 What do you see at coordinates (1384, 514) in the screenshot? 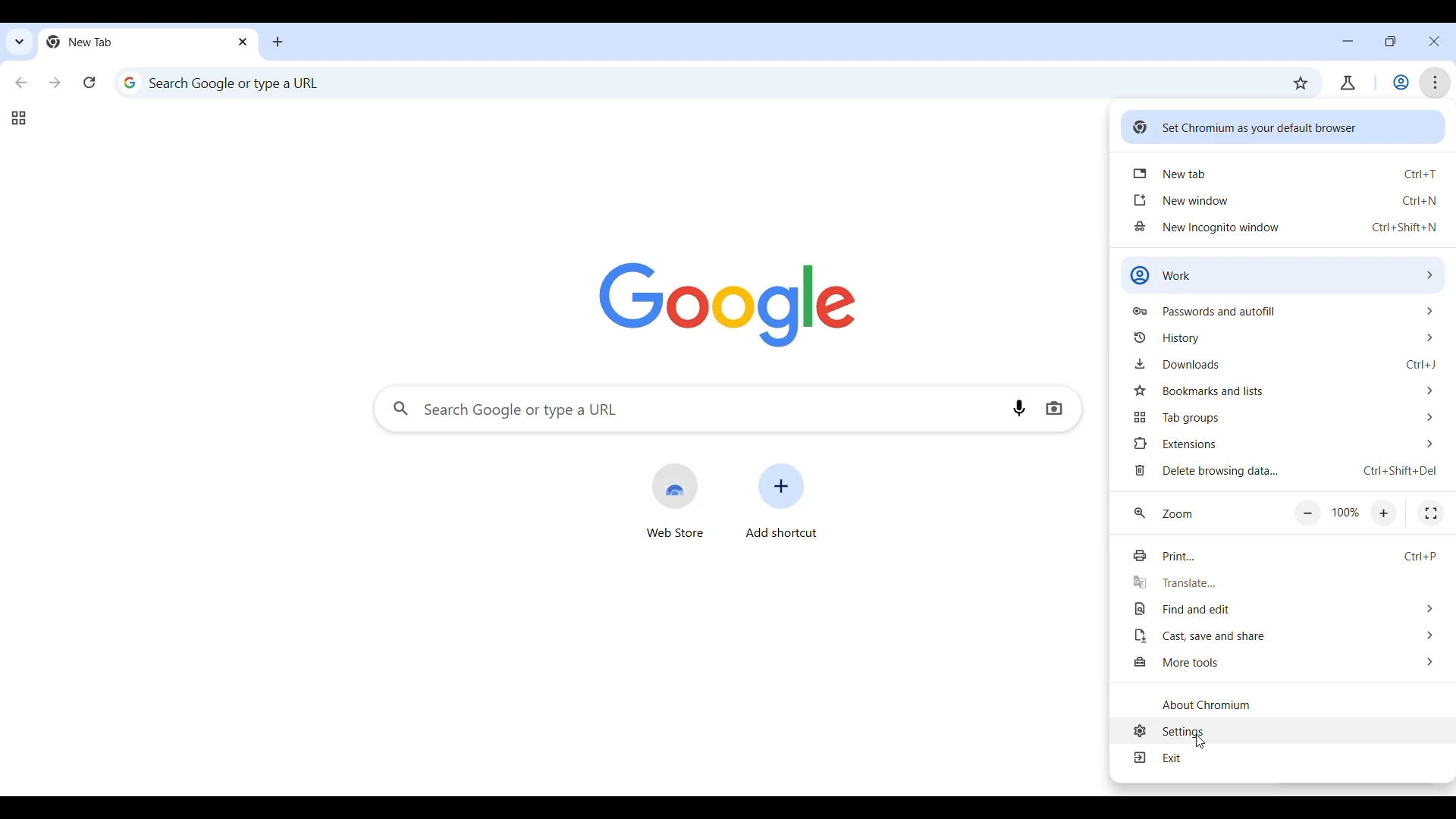
I see `Zoom in` at bounding box center [1384, 514].